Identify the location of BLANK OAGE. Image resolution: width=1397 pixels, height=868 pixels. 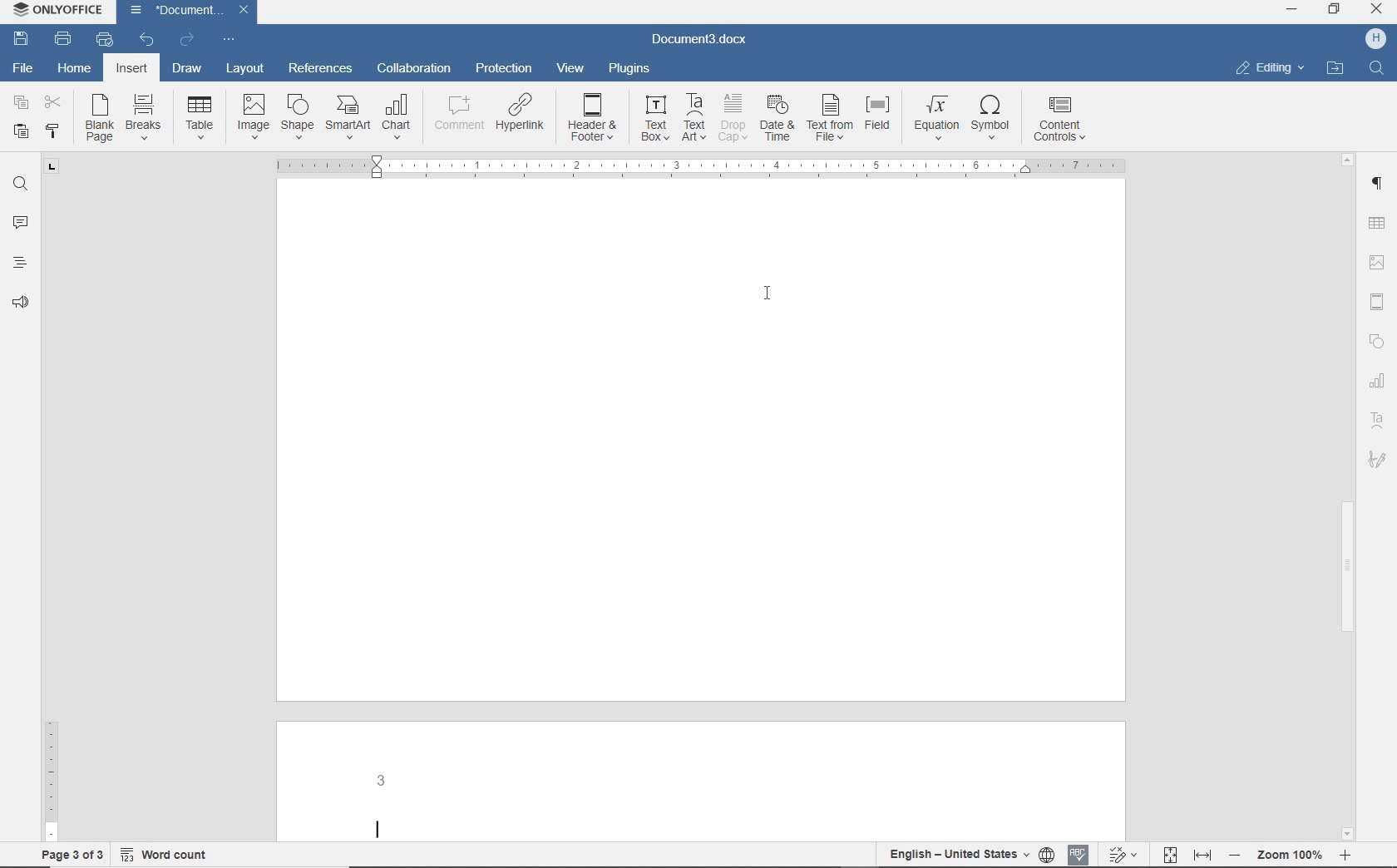
(97, 118).